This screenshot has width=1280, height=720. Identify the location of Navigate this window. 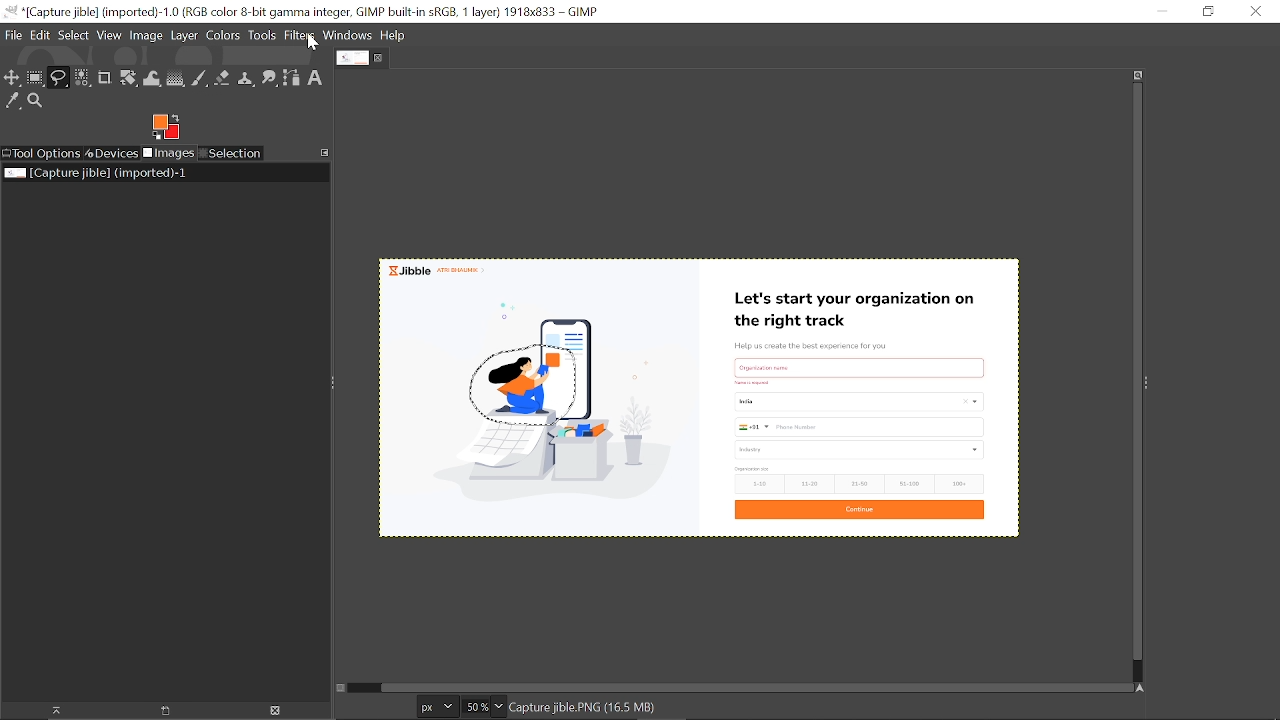
(1144, 689).